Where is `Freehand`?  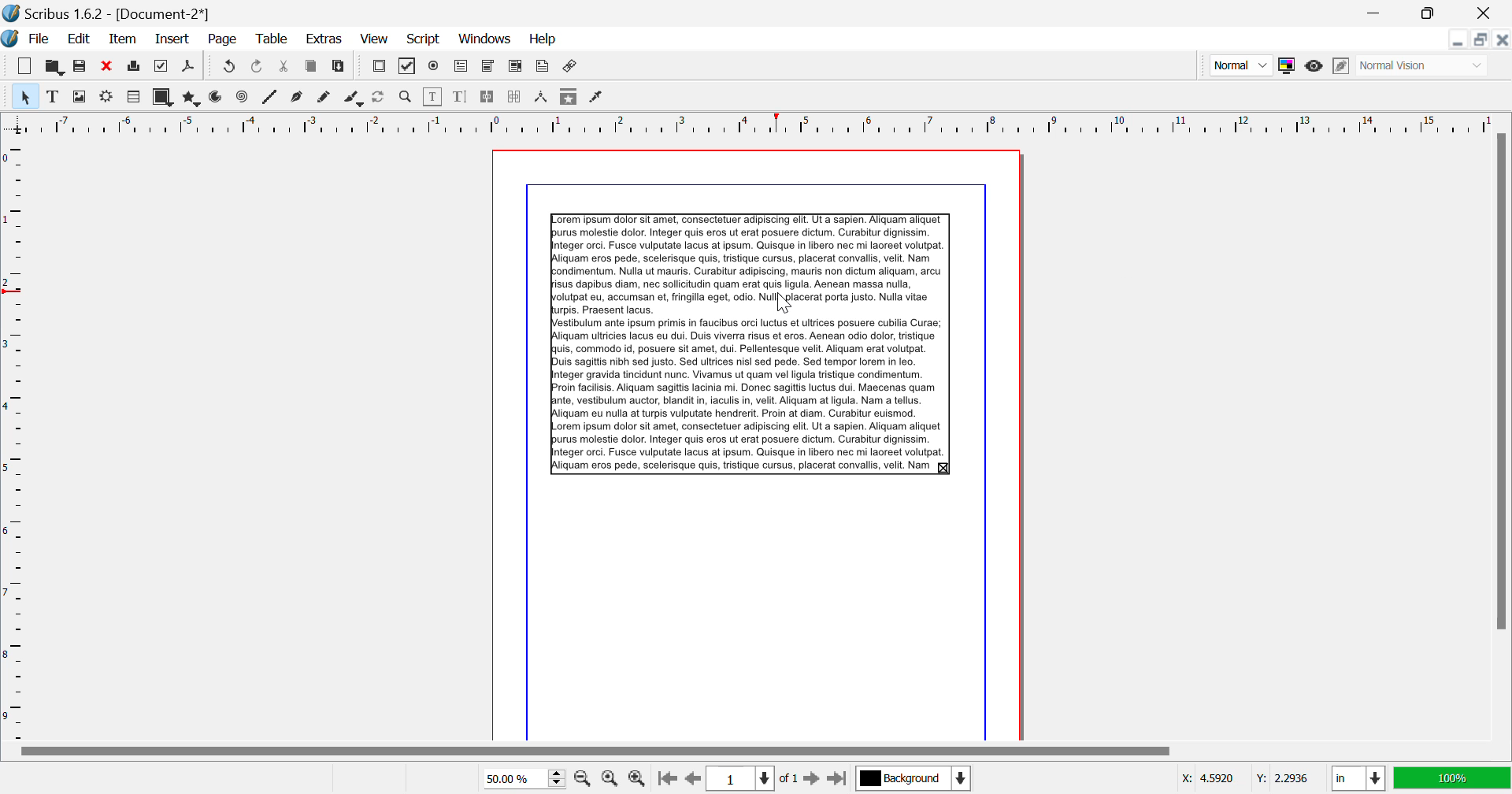 Freehand is located at coordinates (326, 98).